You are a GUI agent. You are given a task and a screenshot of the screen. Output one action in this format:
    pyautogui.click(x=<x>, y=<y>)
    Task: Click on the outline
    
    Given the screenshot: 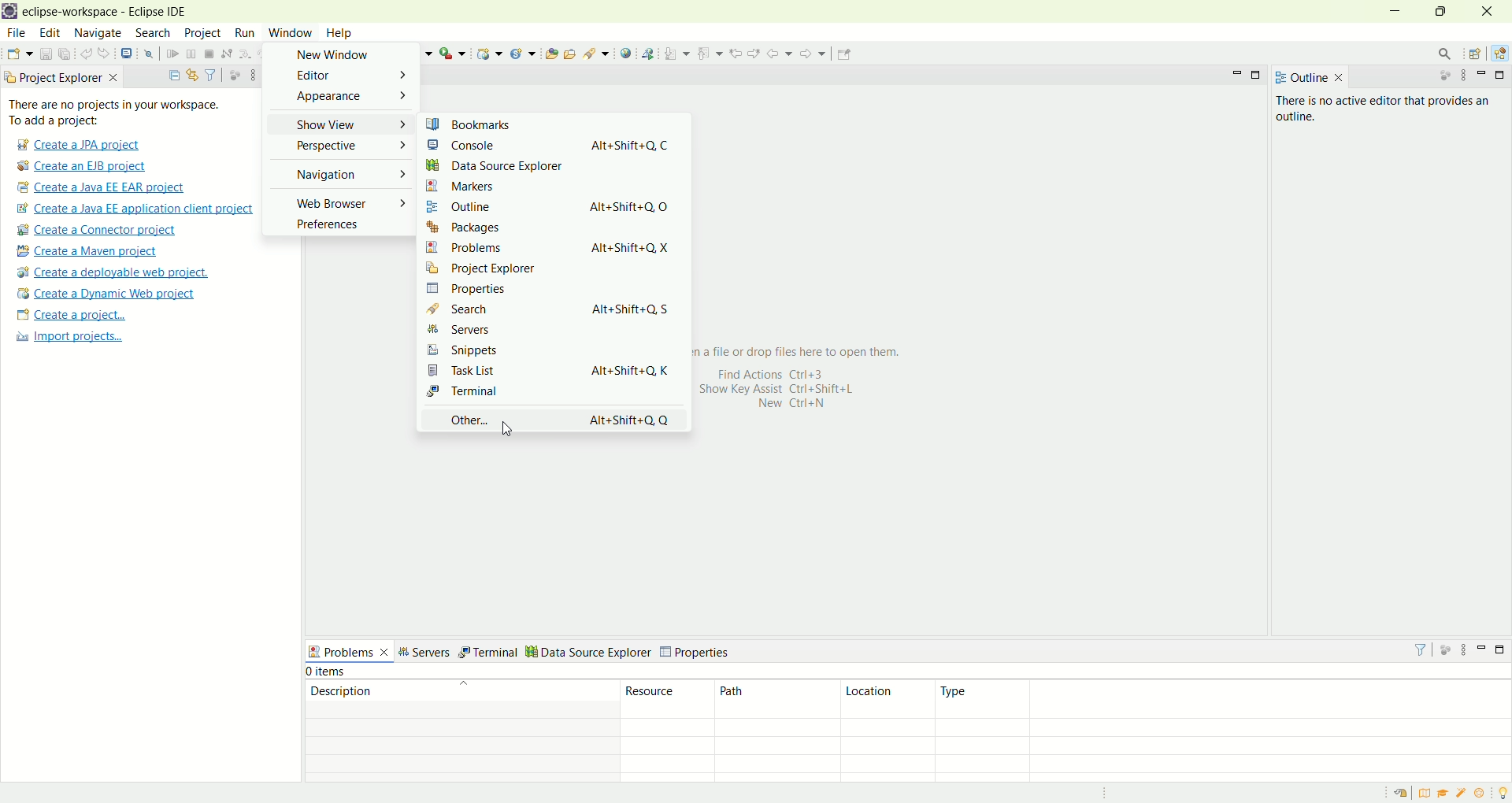 What is the action you would take?
    pyautogui.click(x=1310, y=77)
    